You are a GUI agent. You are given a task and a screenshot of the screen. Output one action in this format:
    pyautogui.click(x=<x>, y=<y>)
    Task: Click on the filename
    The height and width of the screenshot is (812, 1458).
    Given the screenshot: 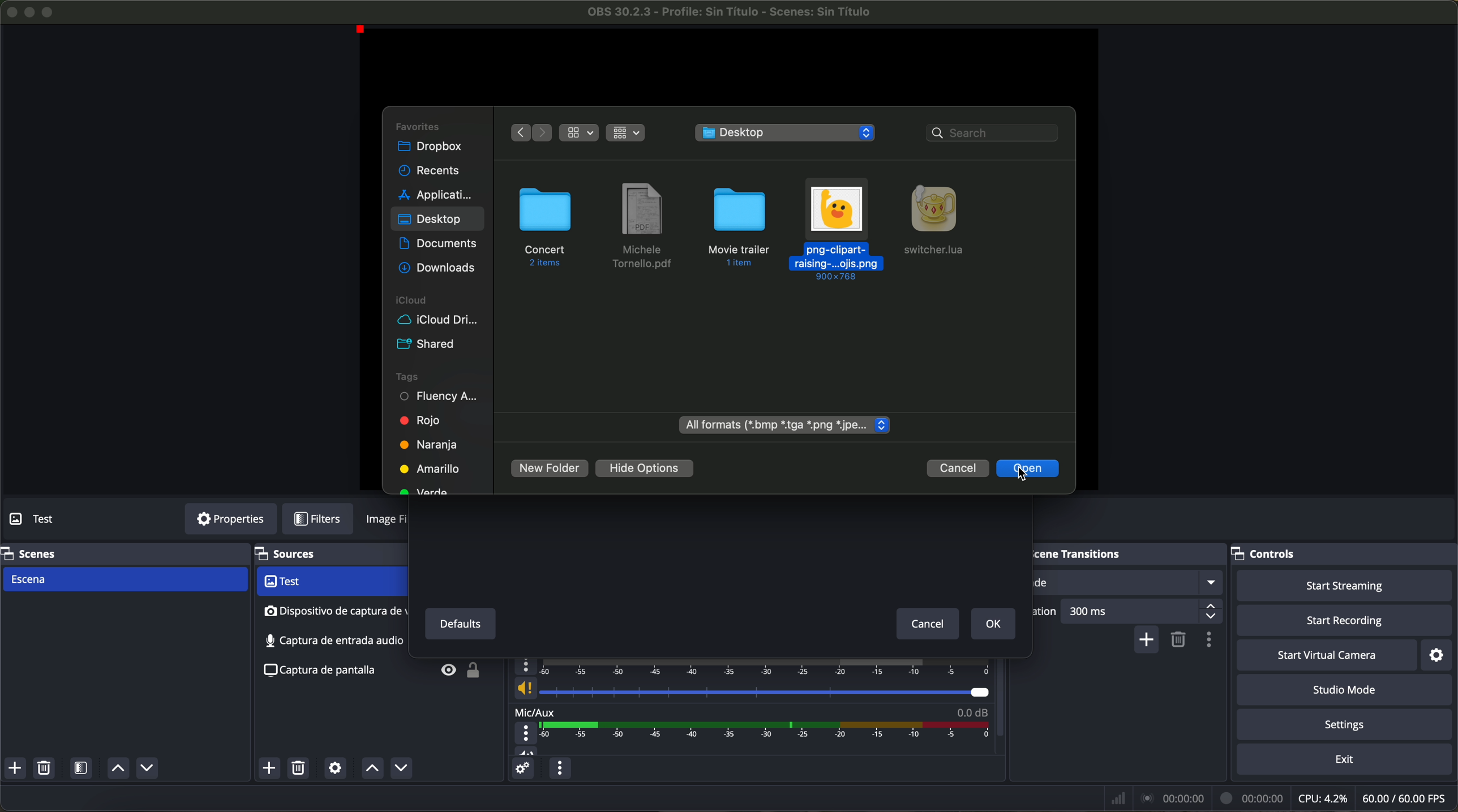 What is the action you would take?
    pyautogui.click(x=731, y=12)
    